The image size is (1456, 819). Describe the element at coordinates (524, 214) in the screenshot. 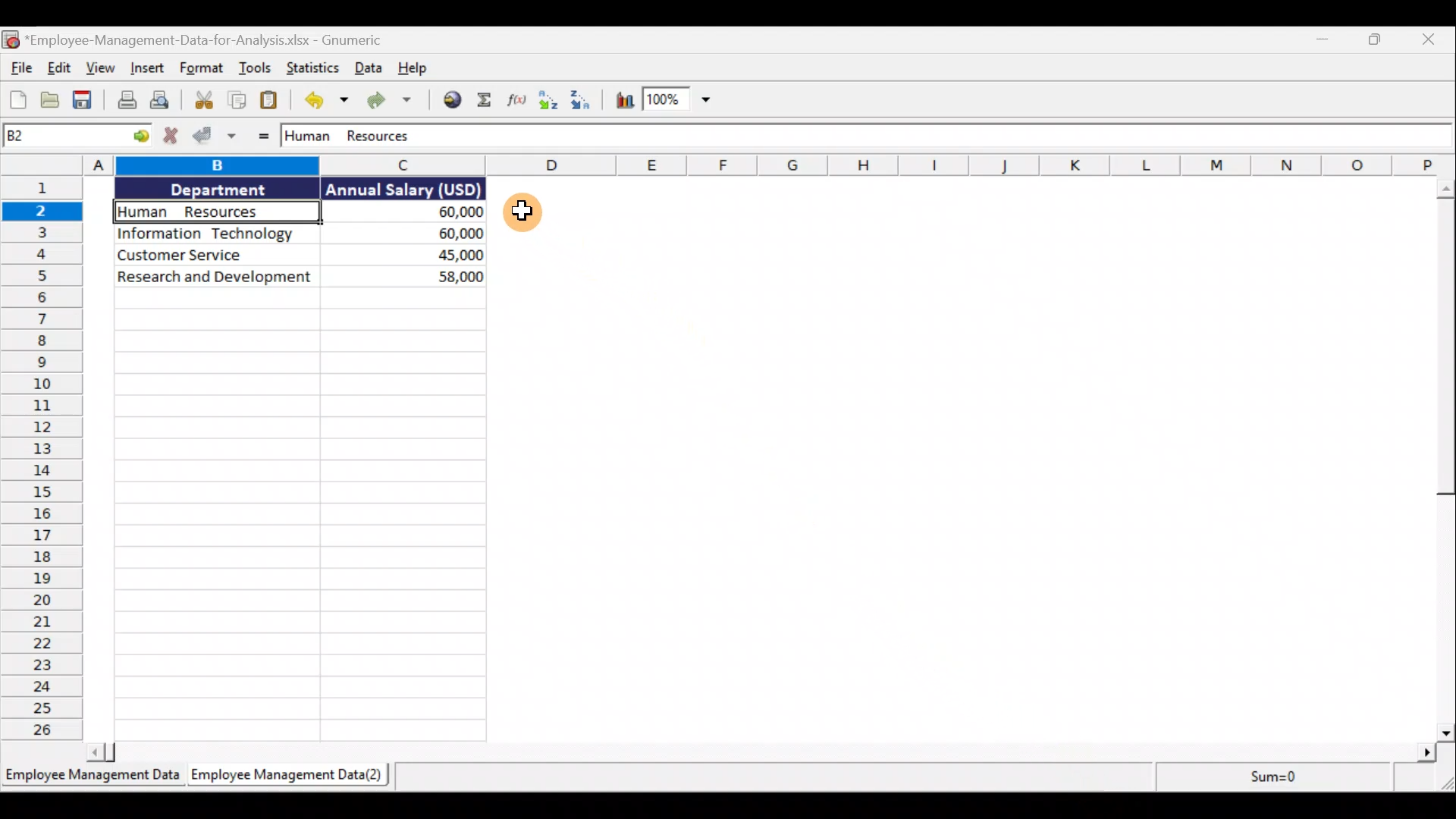

I see `cursor` at that location.